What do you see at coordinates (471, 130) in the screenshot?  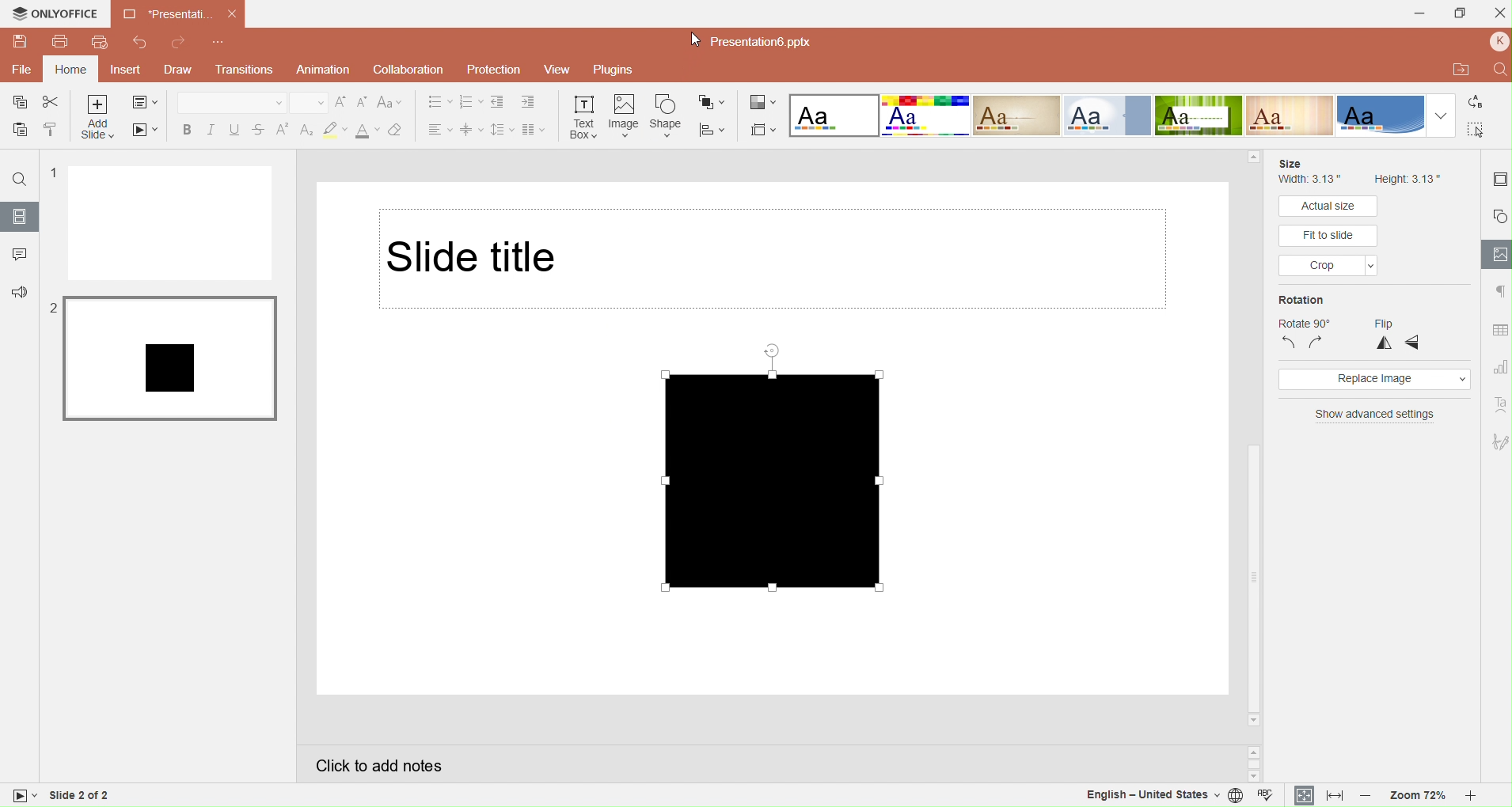 I see `Vertical align` at bounding box center [471, 130].